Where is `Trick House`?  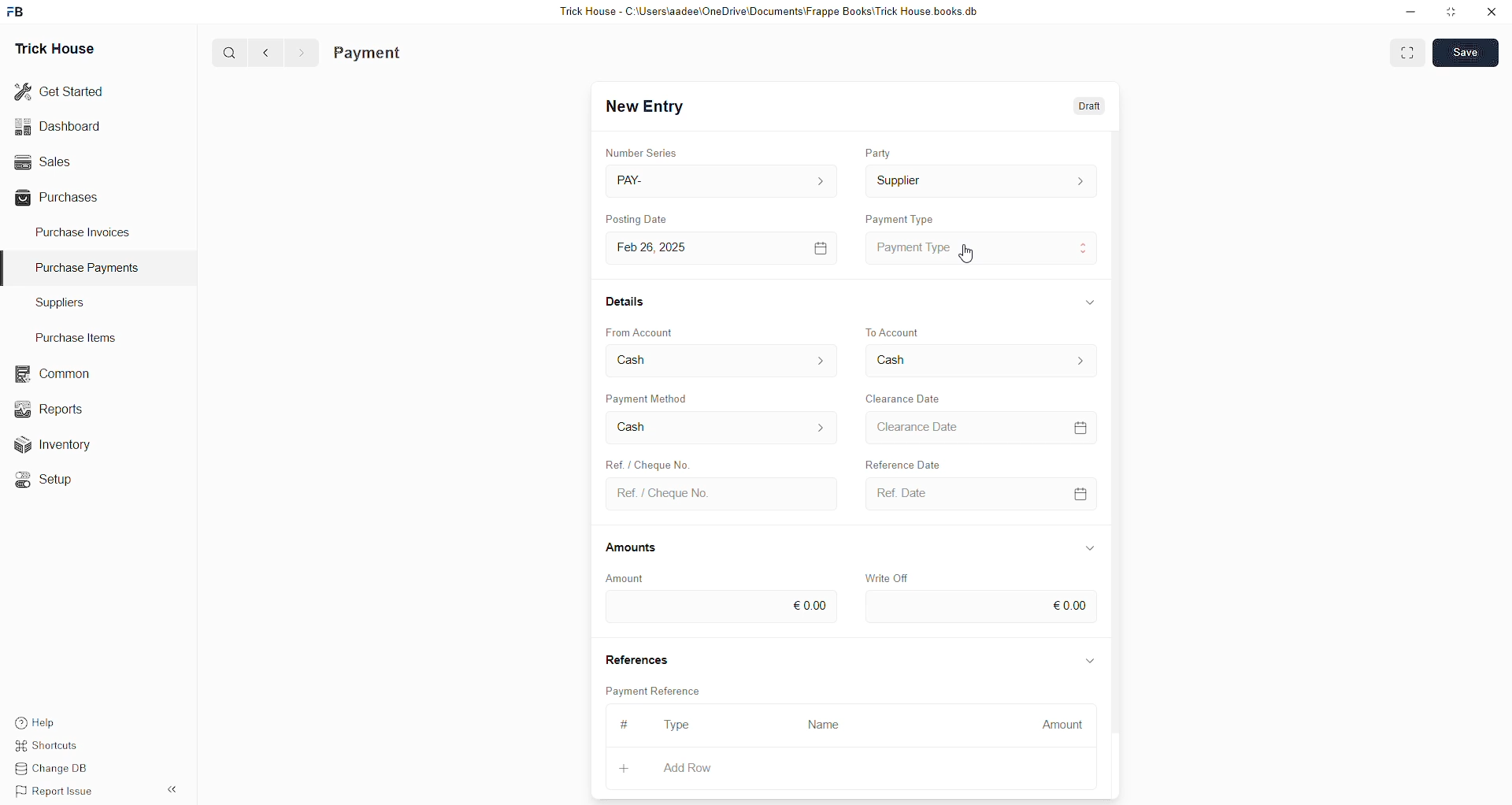
Trick House is located at coordinates (57, 46).